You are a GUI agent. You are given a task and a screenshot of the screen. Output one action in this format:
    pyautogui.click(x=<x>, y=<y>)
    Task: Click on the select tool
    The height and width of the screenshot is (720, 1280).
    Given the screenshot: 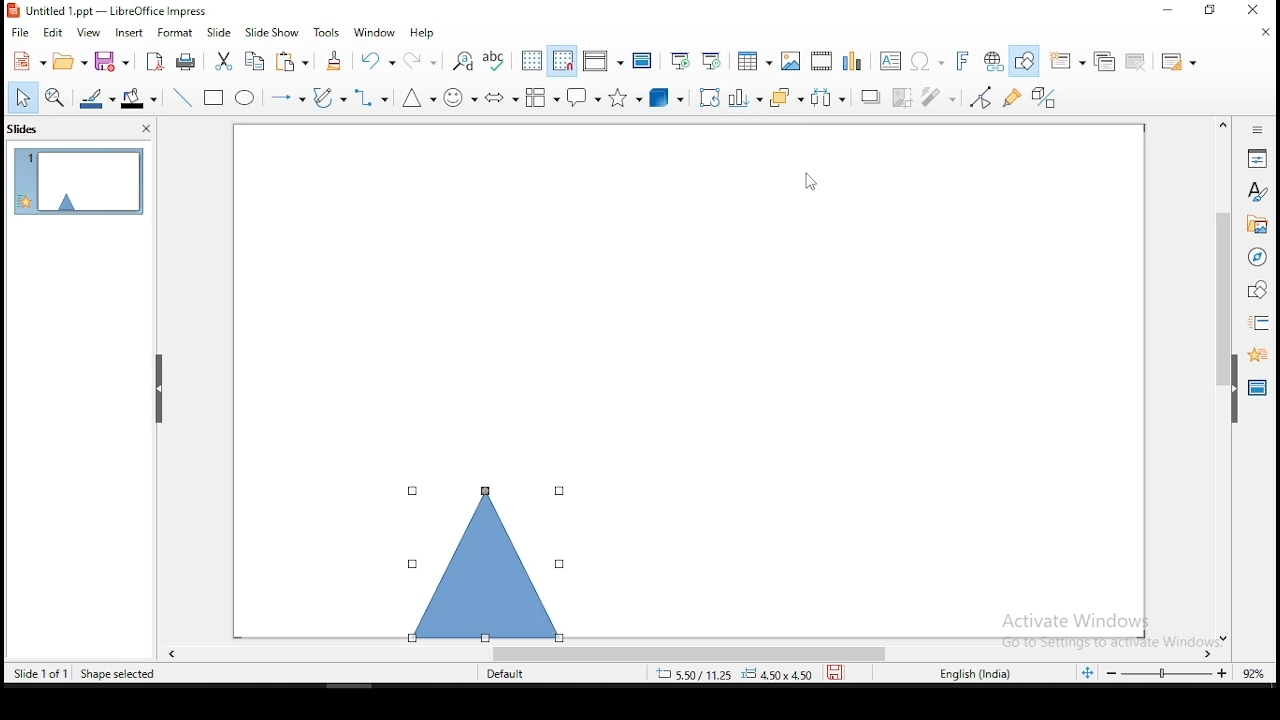 What is the action you would take?
    pyautogui.click(x=22, y=97)
    